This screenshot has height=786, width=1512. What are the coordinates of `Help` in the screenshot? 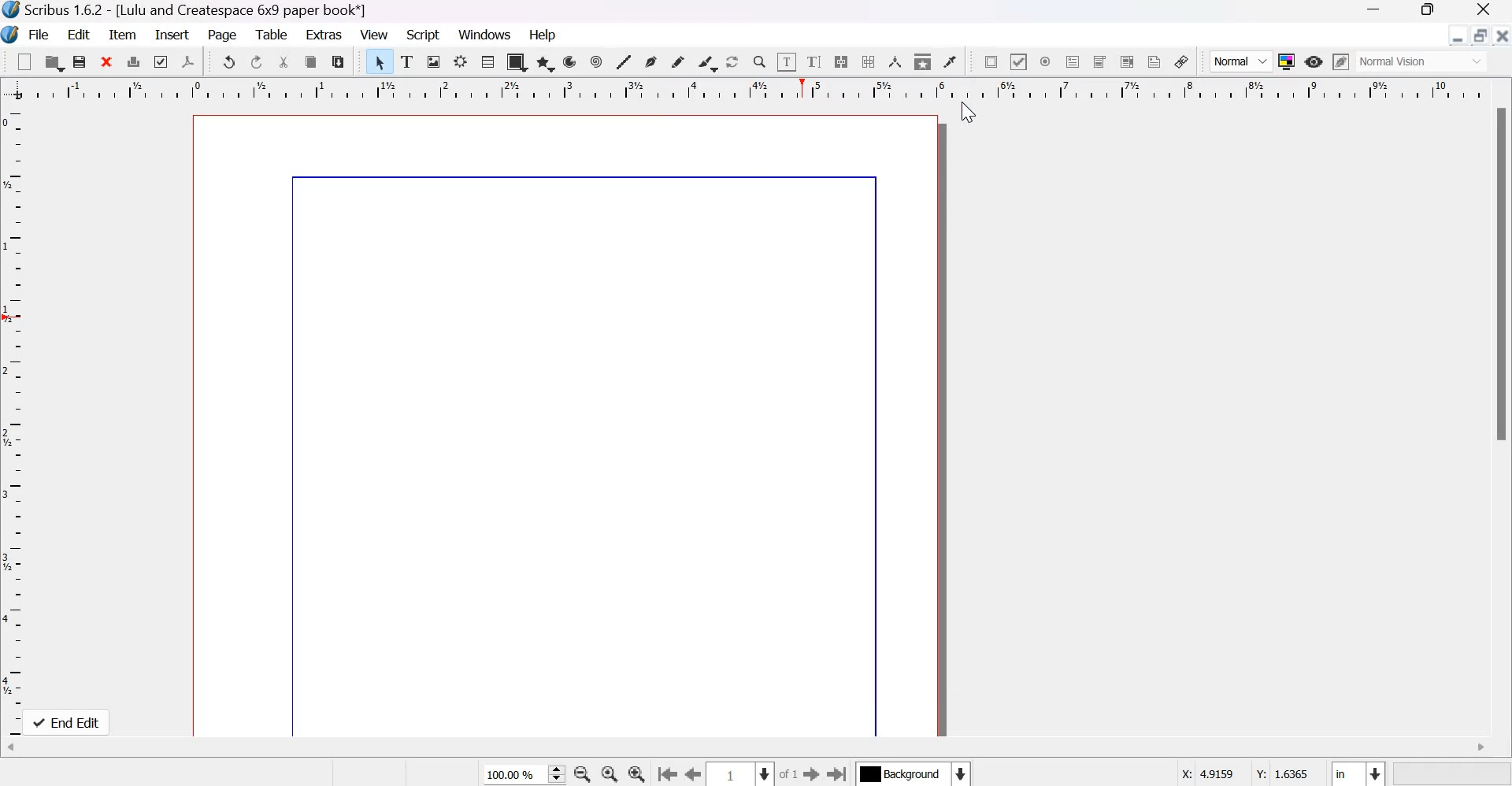 It's located at (544, 34).